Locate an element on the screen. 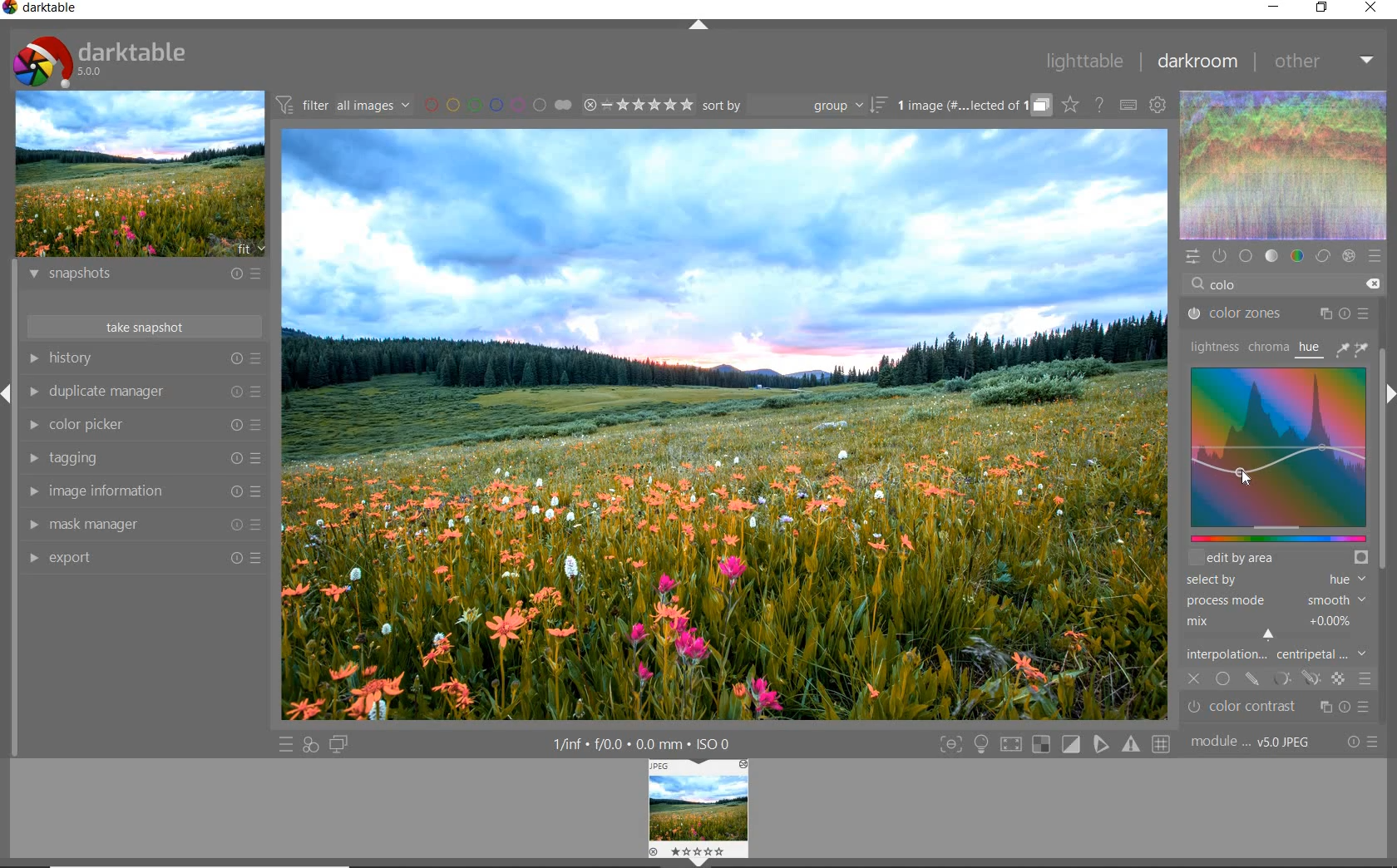 The image size is (1397, 868). show global preferences is located at coordinates (1156, 105).